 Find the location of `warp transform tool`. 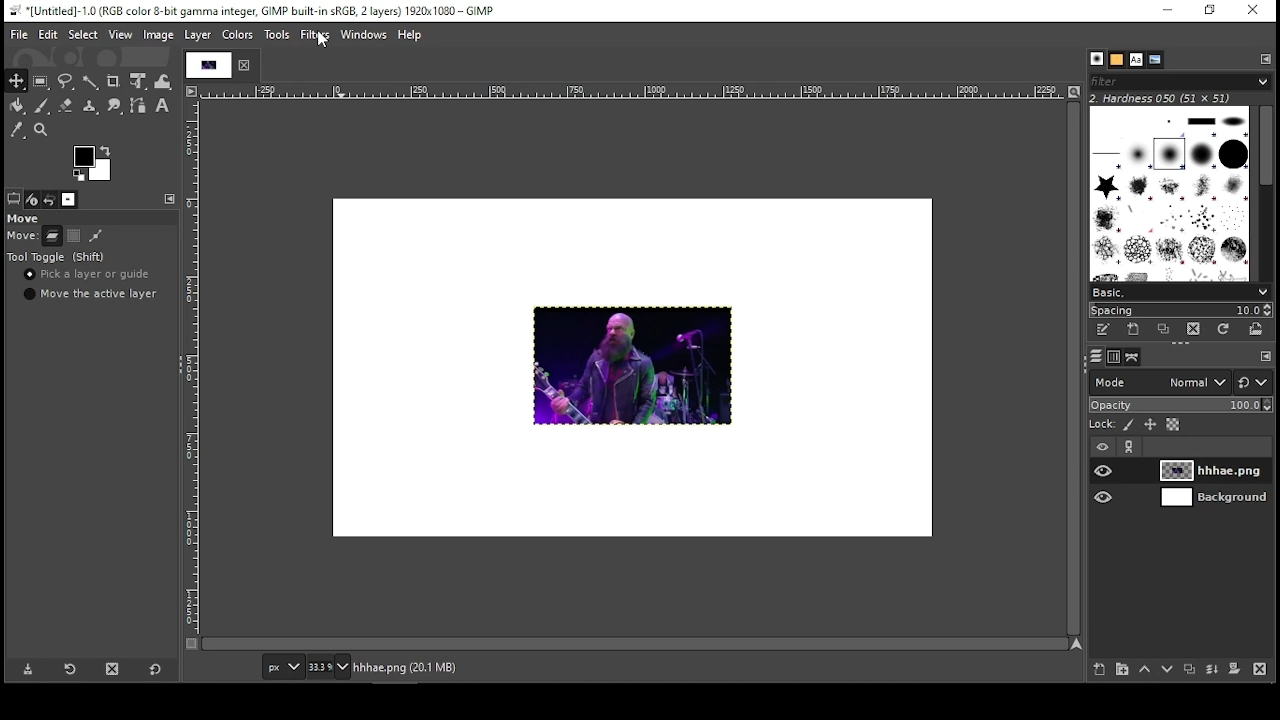

warp transform tool is located at coordinates (165, 81).